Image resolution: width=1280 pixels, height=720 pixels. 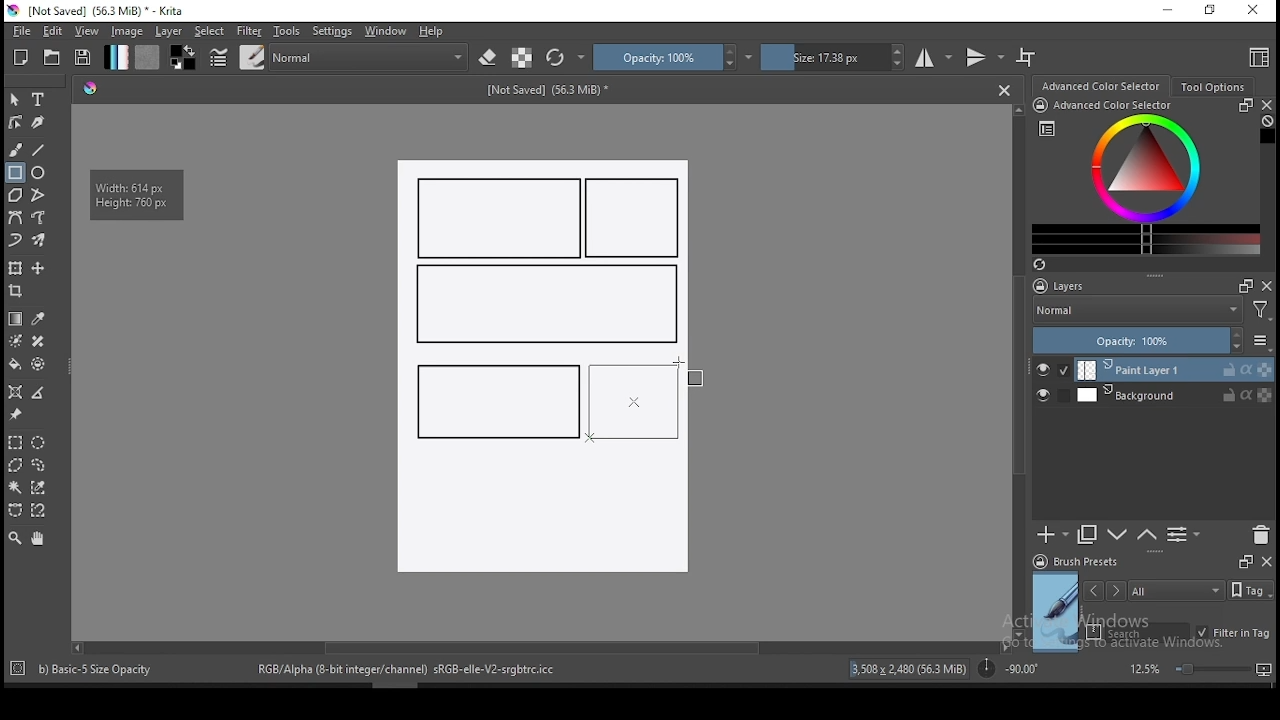 What do you see at coordinates (1214, 87) in the screenshot?
I see `tool options` at bounding box center [1214, 87].